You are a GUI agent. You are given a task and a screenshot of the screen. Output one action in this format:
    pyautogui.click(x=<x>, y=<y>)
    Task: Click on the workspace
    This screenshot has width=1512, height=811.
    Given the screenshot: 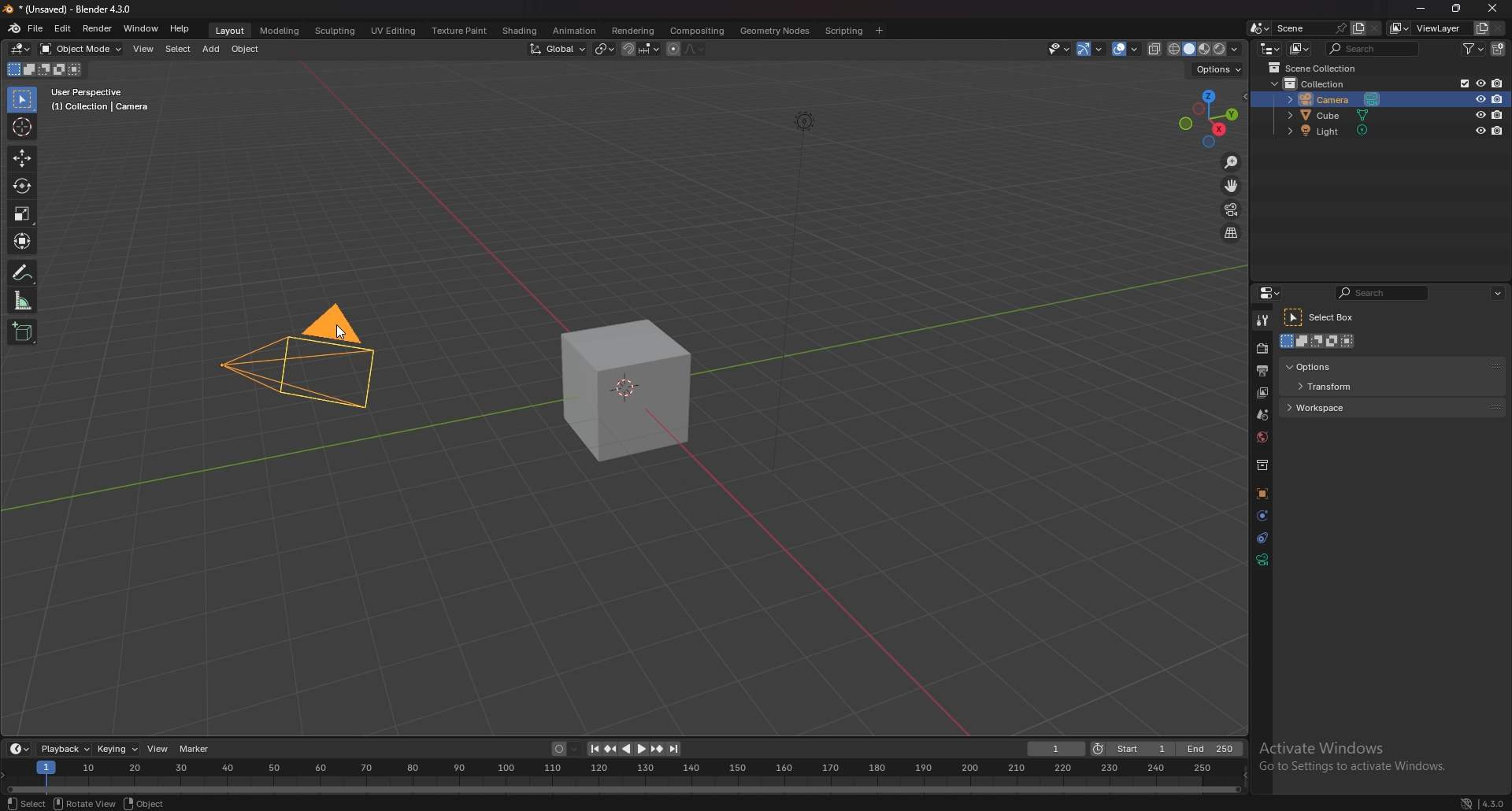 What is the action you would take?
    pyautogui.click(x=1335, y=406)
    